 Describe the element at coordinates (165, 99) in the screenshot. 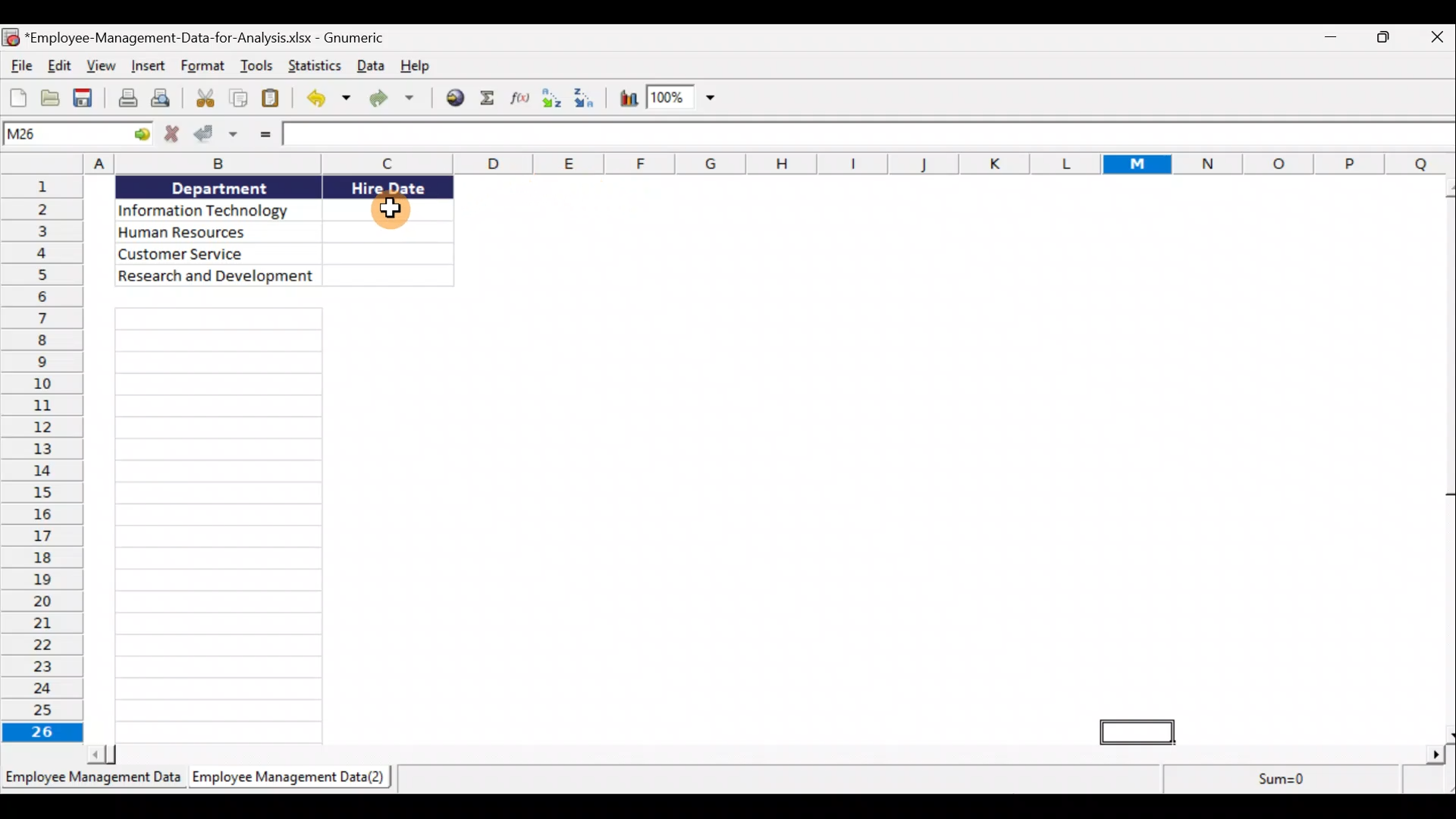

I see `Print preview` at that location.